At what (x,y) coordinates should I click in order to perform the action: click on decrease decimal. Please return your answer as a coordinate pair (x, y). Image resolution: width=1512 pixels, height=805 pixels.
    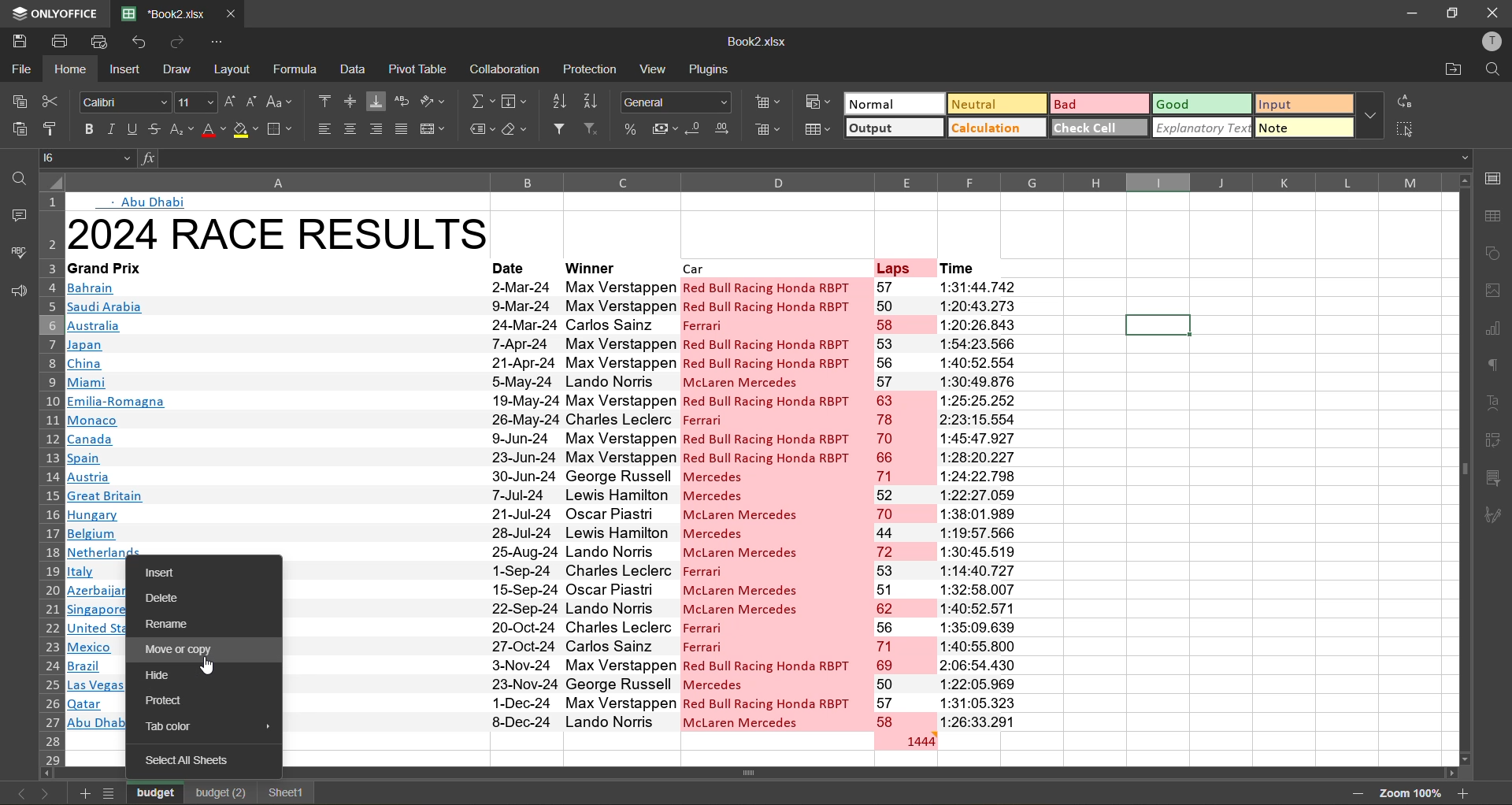
    Looking at the image, I should click on (696, 129).